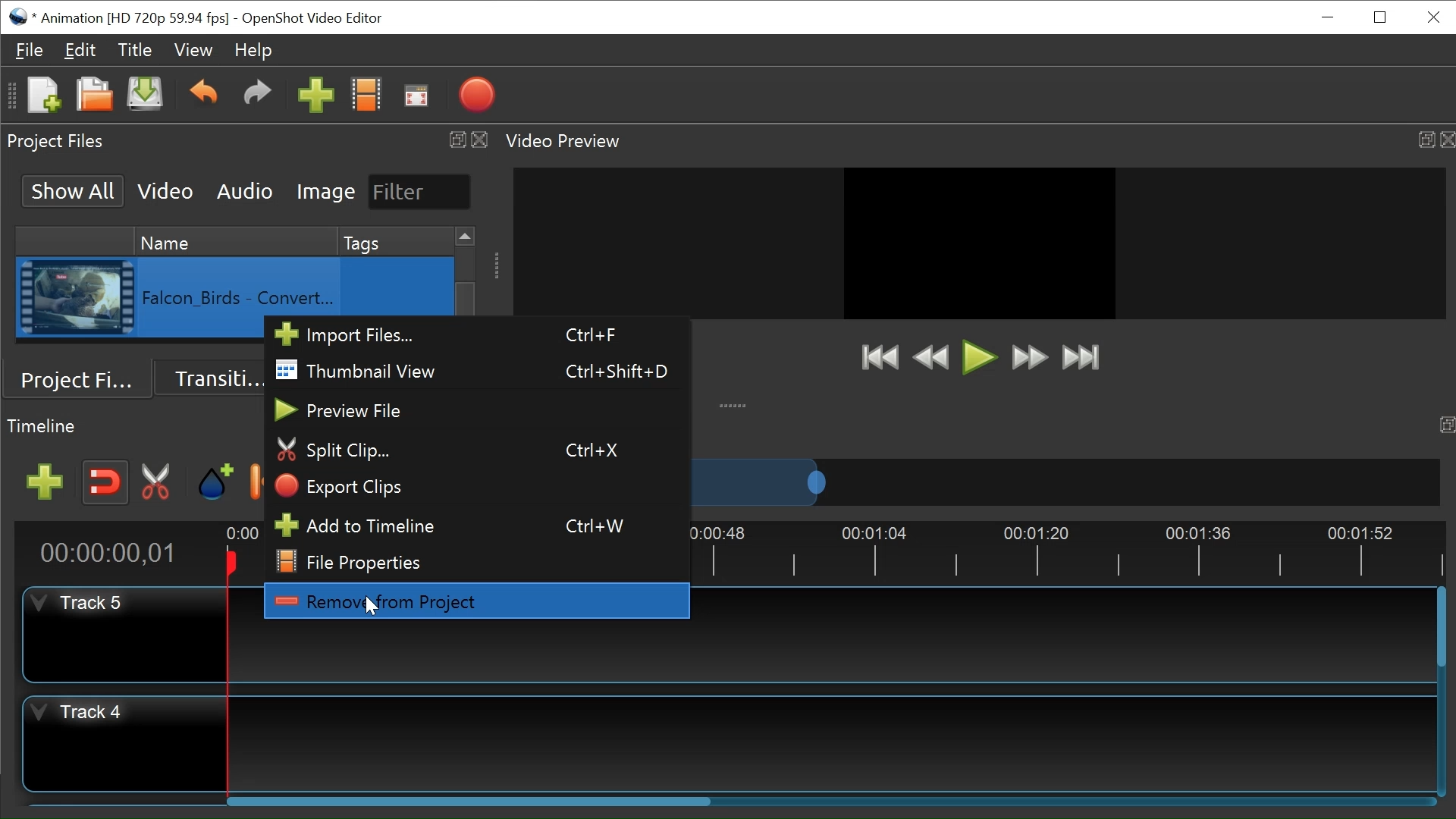 The width and height of the screenshot is (1456, 819). I want to click on Title, so click(135, 50).